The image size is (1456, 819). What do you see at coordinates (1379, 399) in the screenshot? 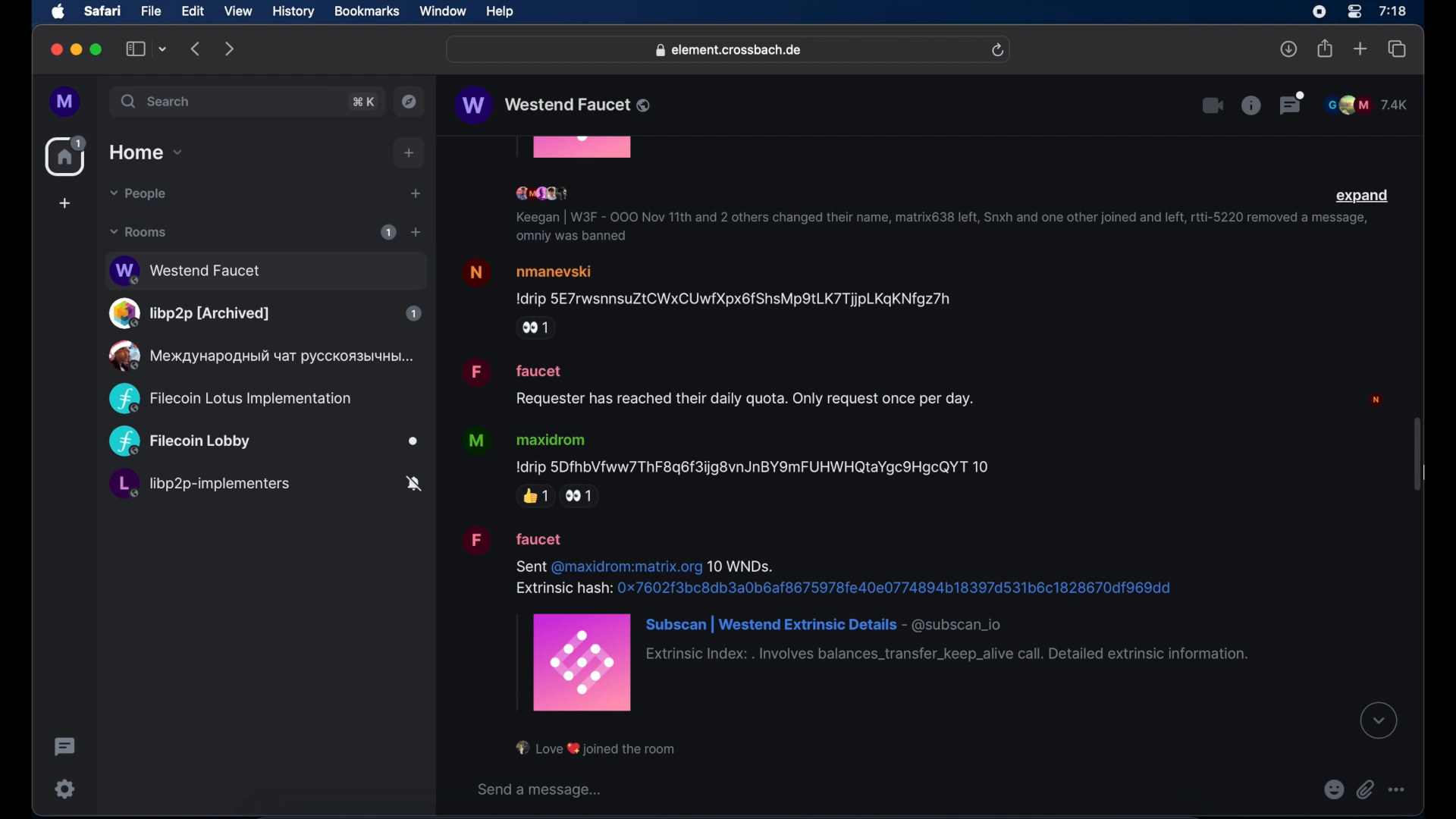
I see `profile picture` at bounding box center [1379, 399].